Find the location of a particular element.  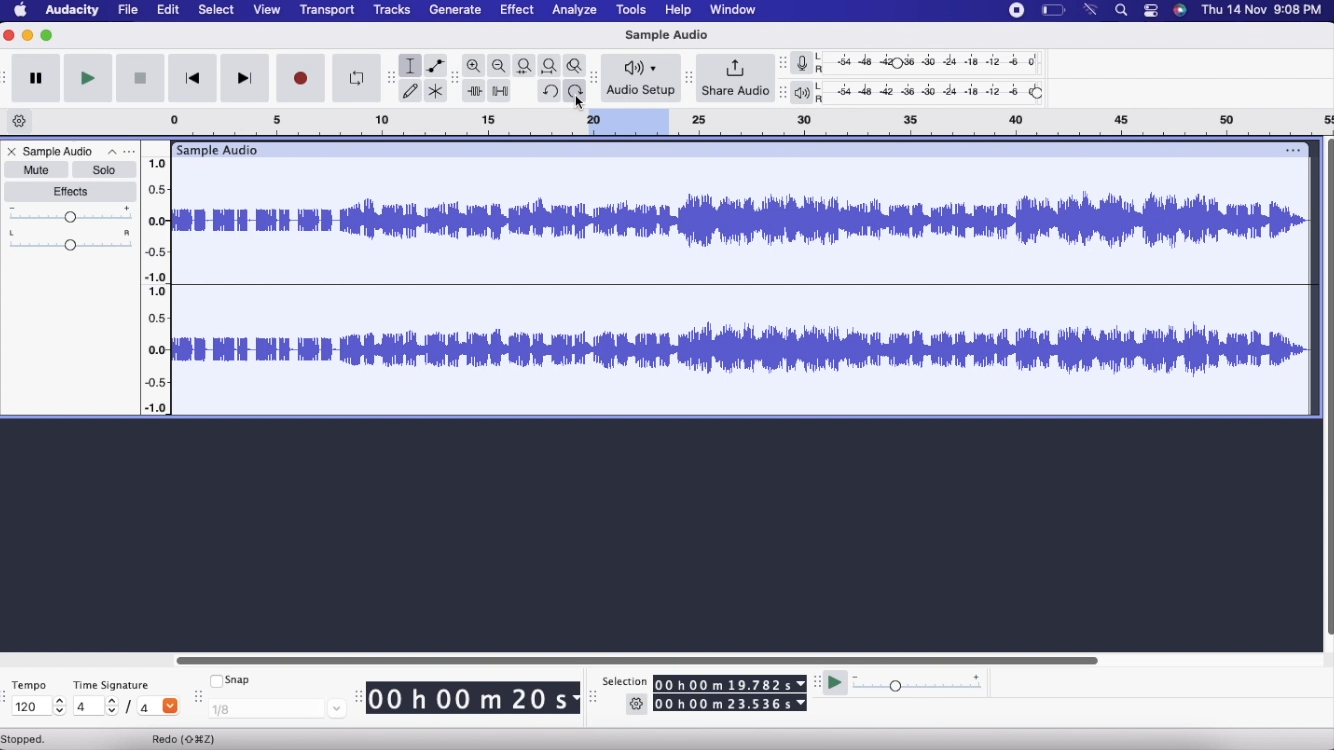

Tracks is located at coordinates (393, 9).